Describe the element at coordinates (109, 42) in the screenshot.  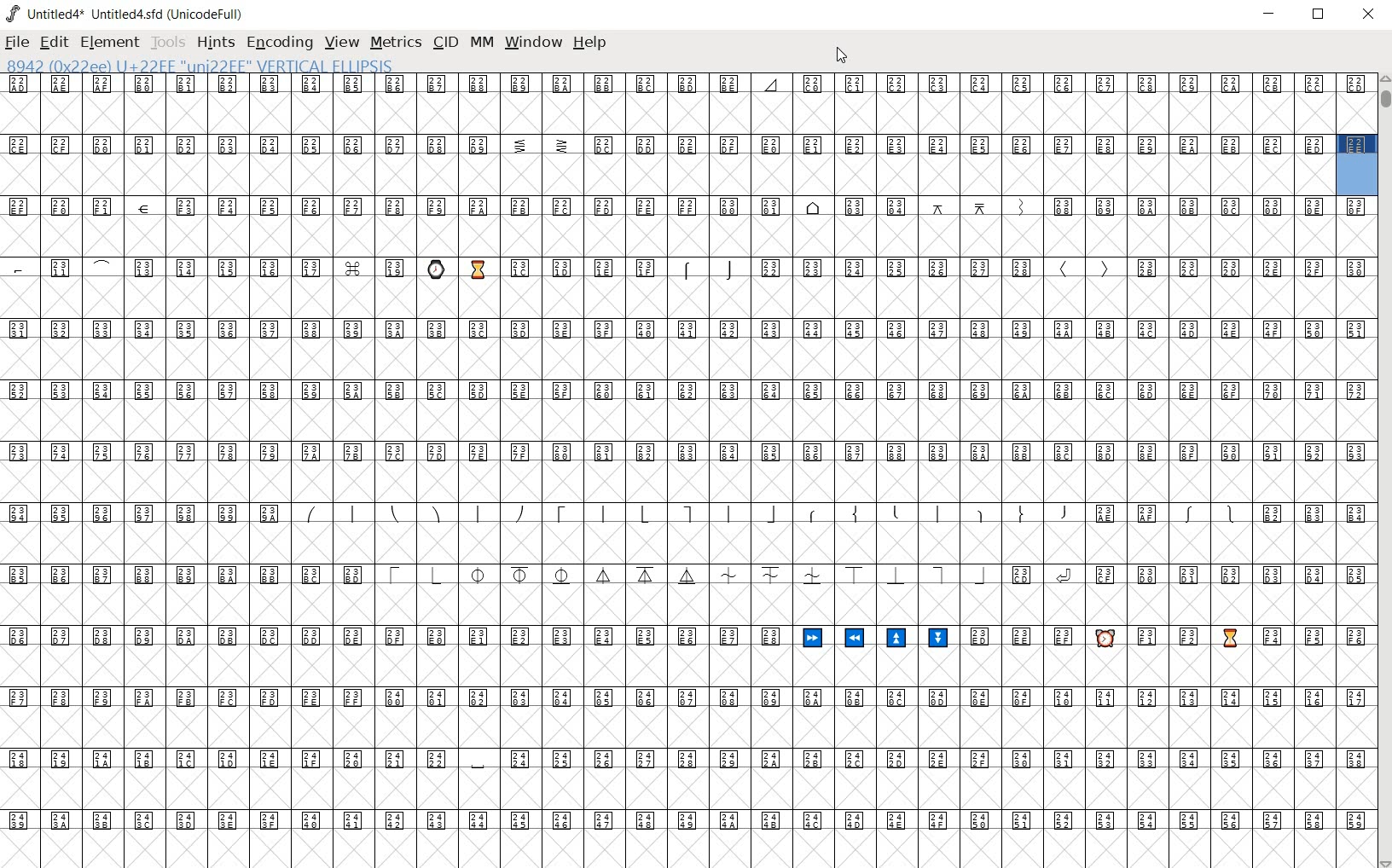
I see `ELEMENT` at that location.